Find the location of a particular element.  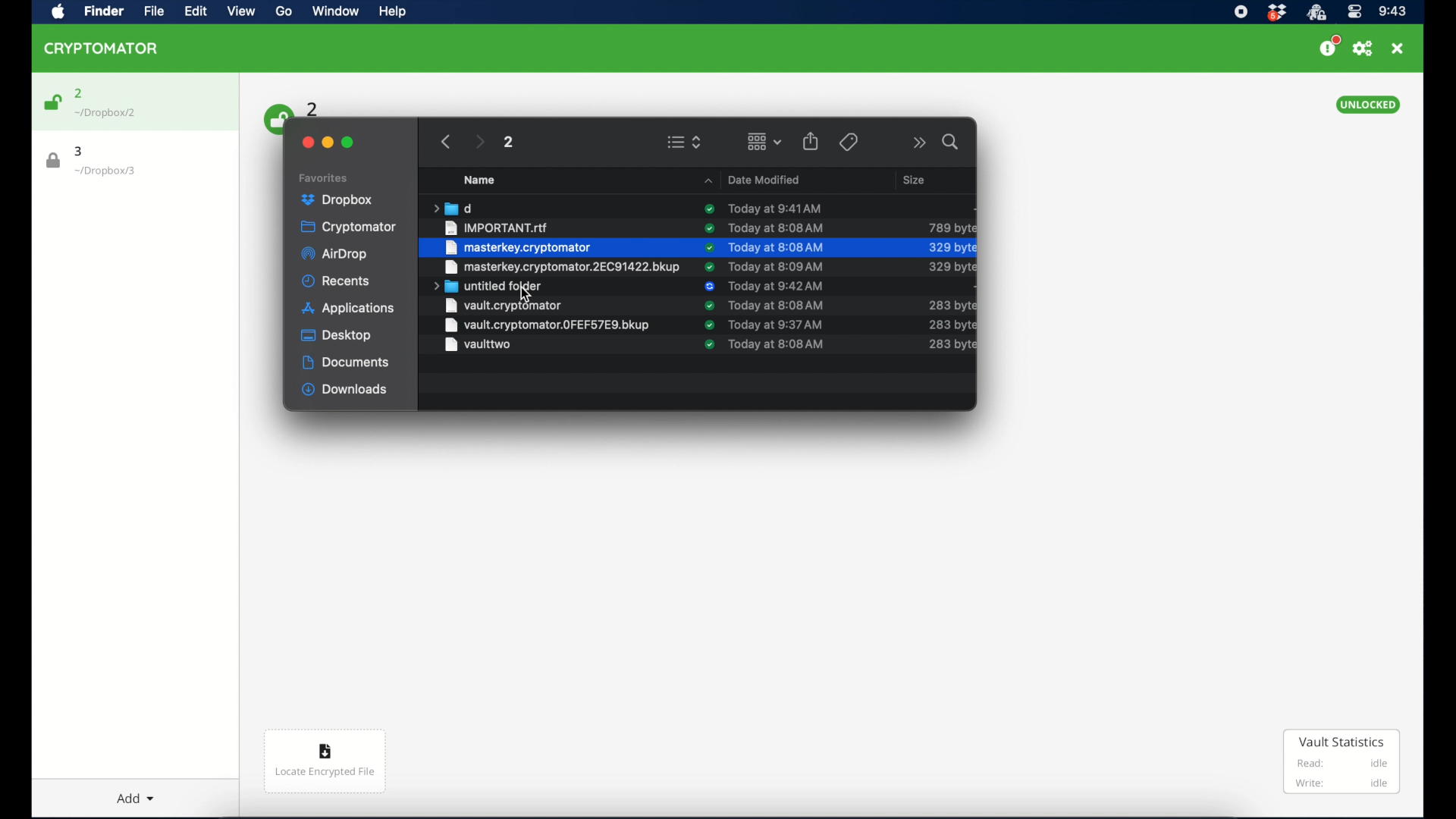

sync is located at coordinates (708, 325).